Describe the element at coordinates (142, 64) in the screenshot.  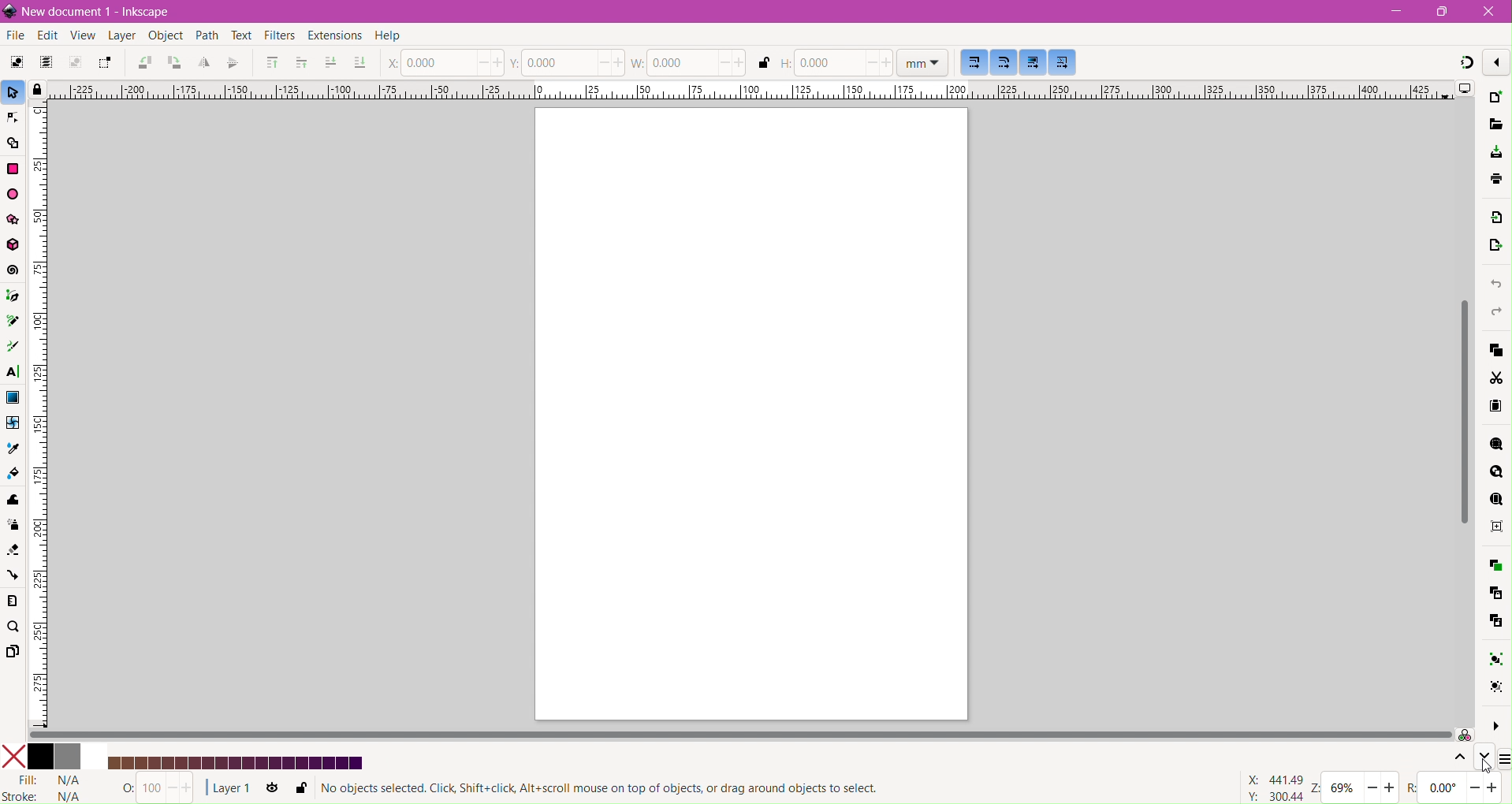
I see `Object Rotate 90 CCW` at that location.